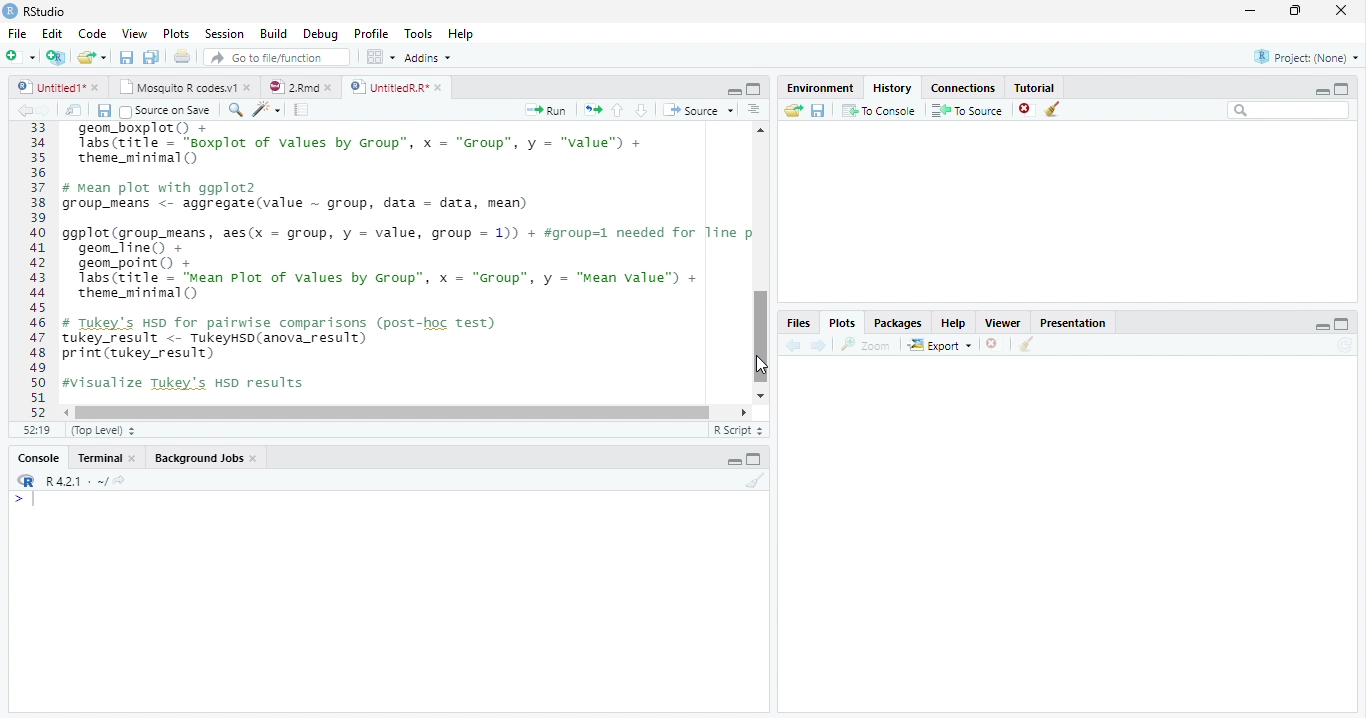 The width and height of the screenshot is (1366, 718). Describe the element at coordinates (1024, 345) in the screenshot. I see `Clear Console` at that location.